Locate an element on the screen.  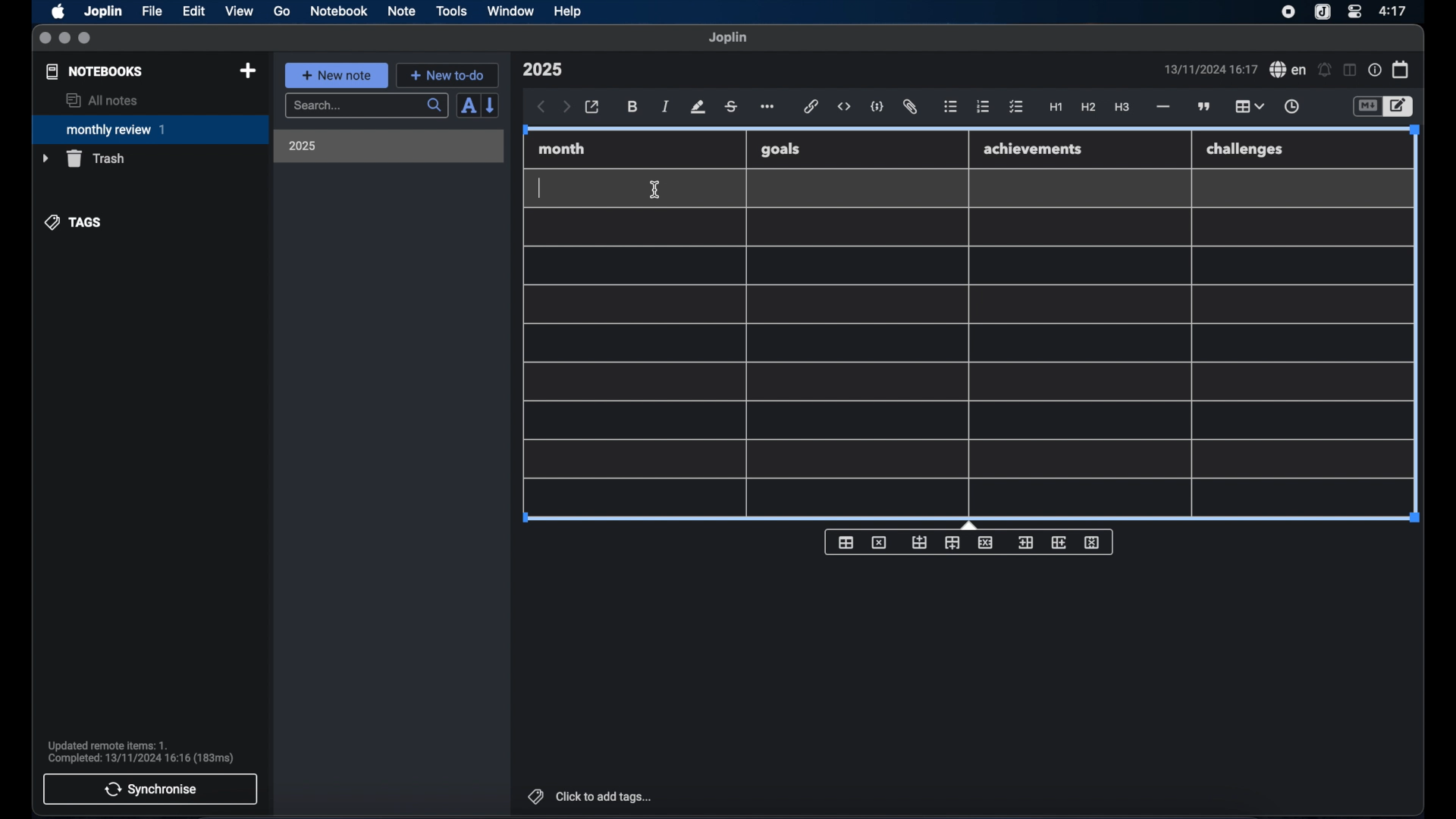
go is located at coordinates (282, 11).